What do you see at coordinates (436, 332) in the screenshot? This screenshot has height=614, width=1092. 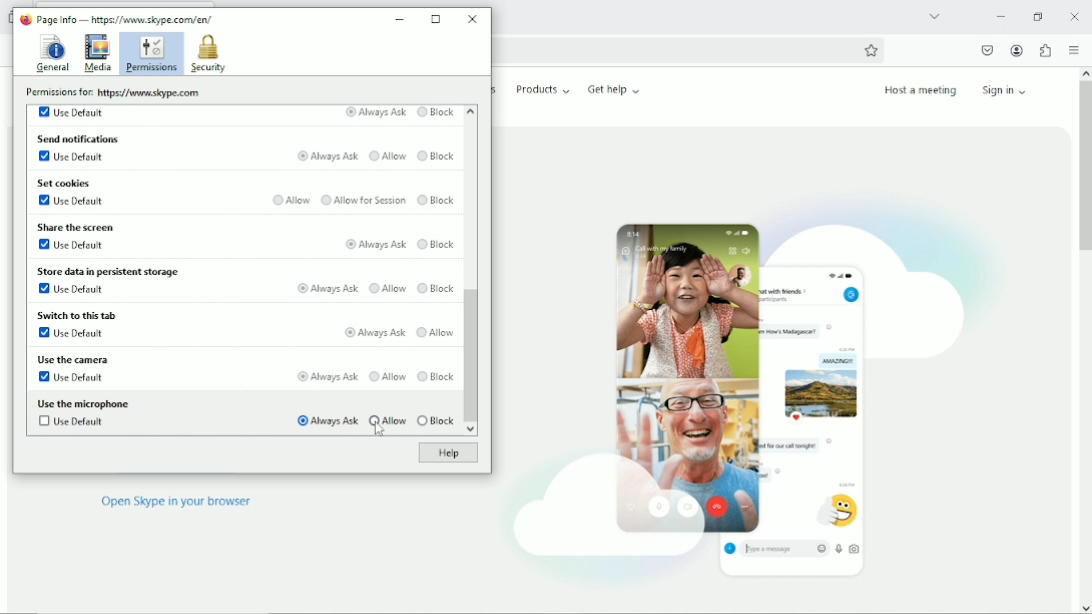 I see `Allow` at bounding box center [436, 332].